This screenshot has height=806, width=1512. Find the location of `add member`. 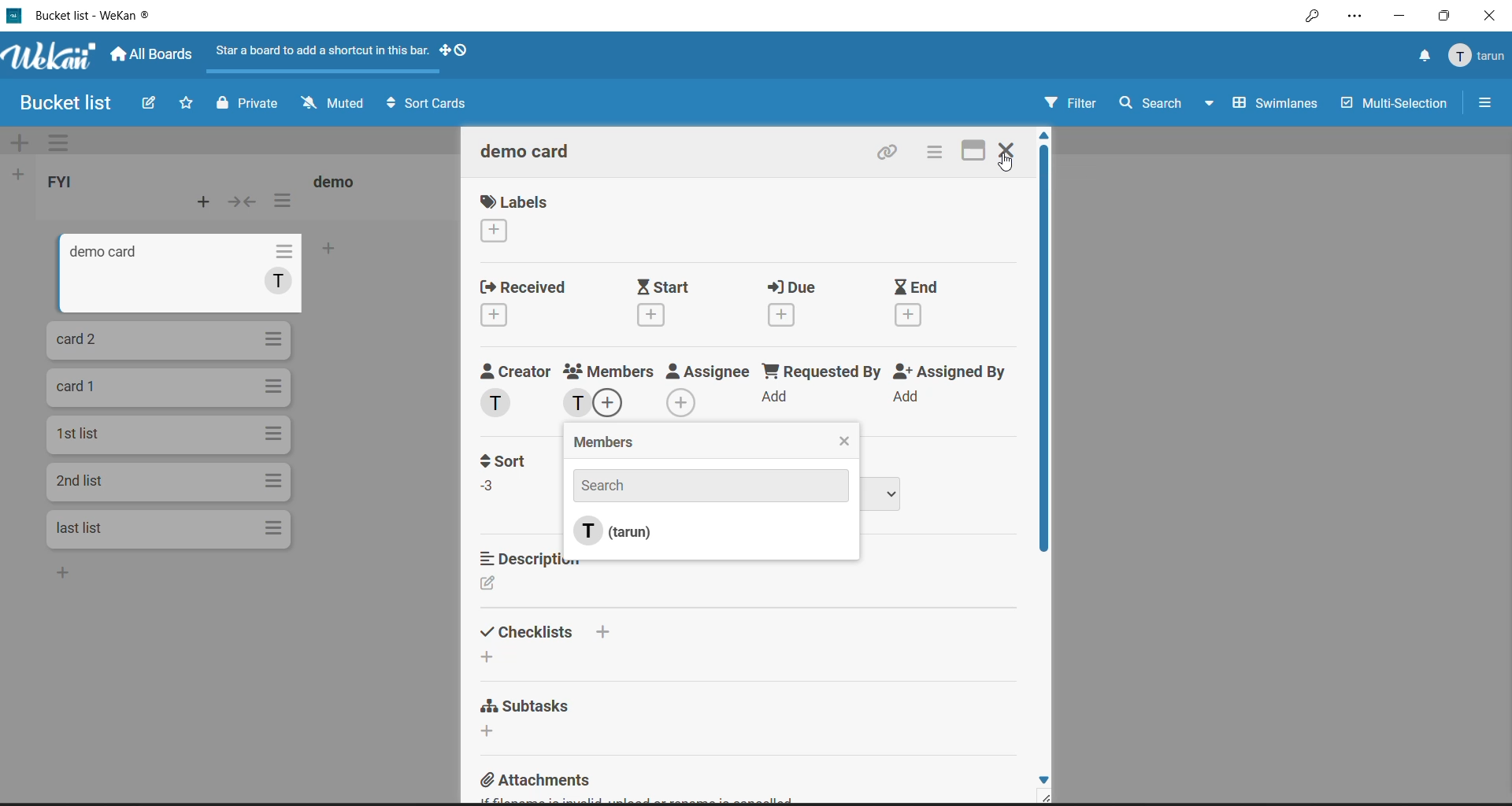

add member is located at coordinates (615, 405).